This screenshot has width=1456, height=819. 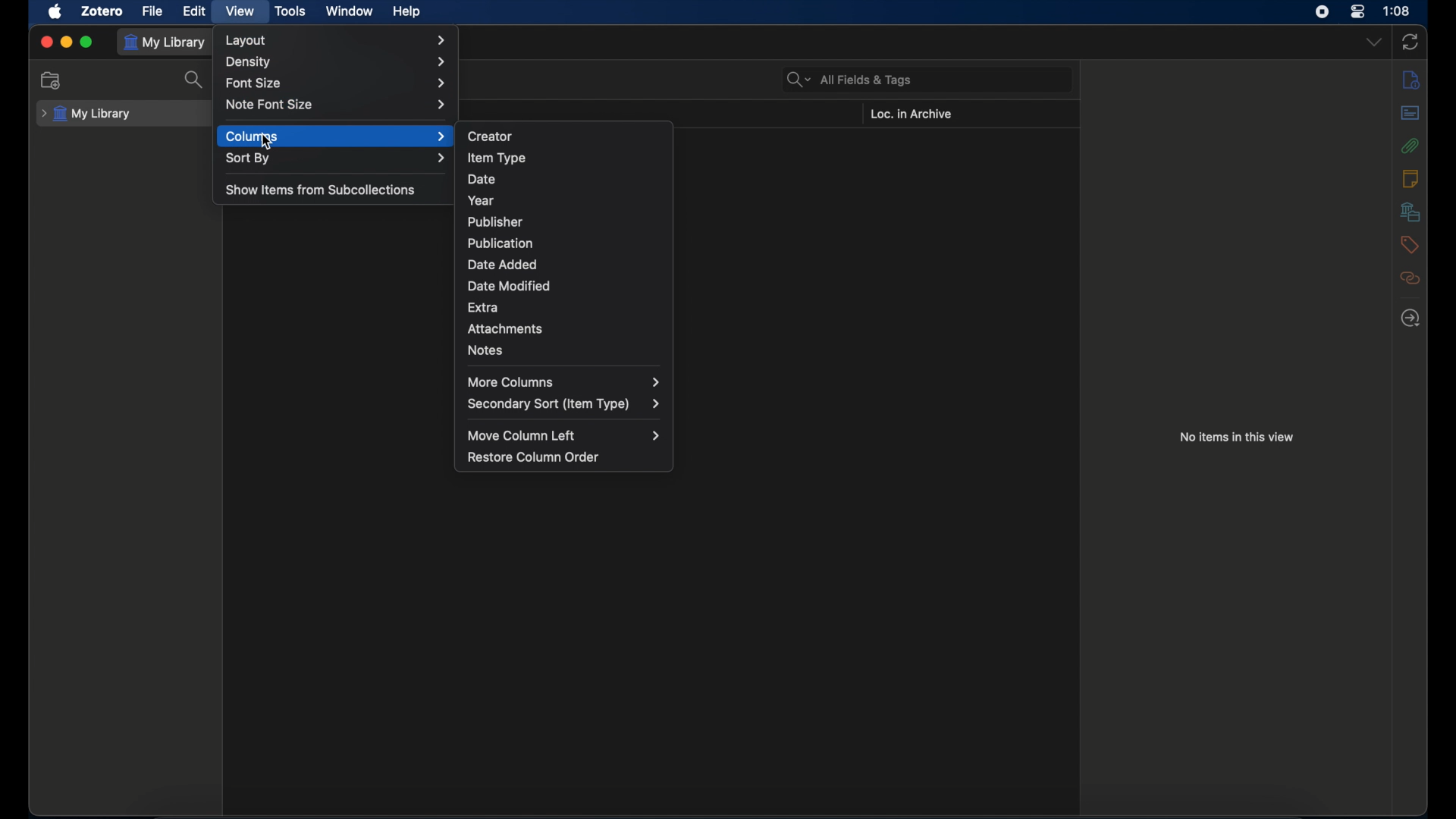 I want to click on density, so click(x=336, y=62).